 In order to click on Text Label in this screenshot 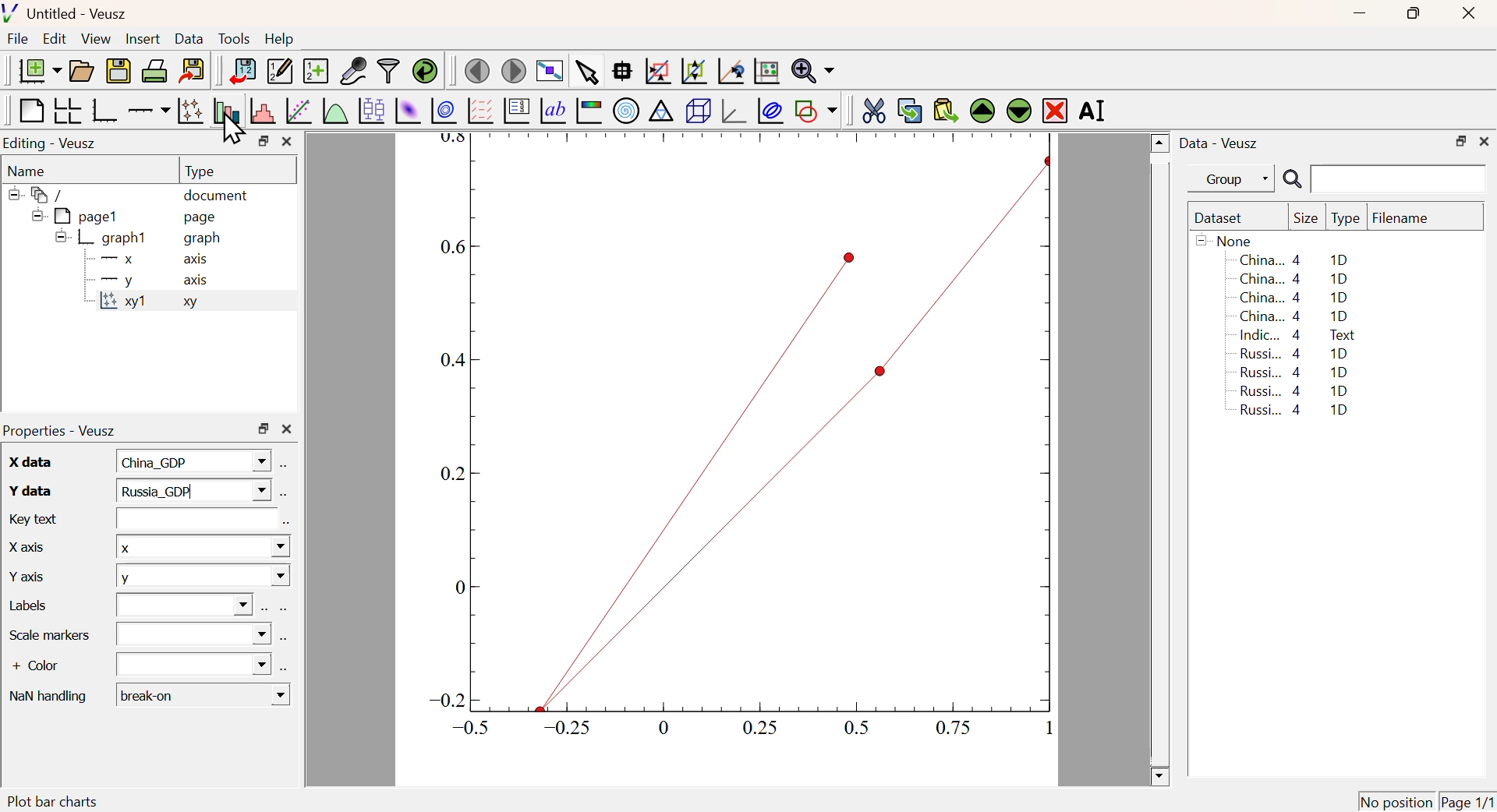, I will do `click(553, 111)`.